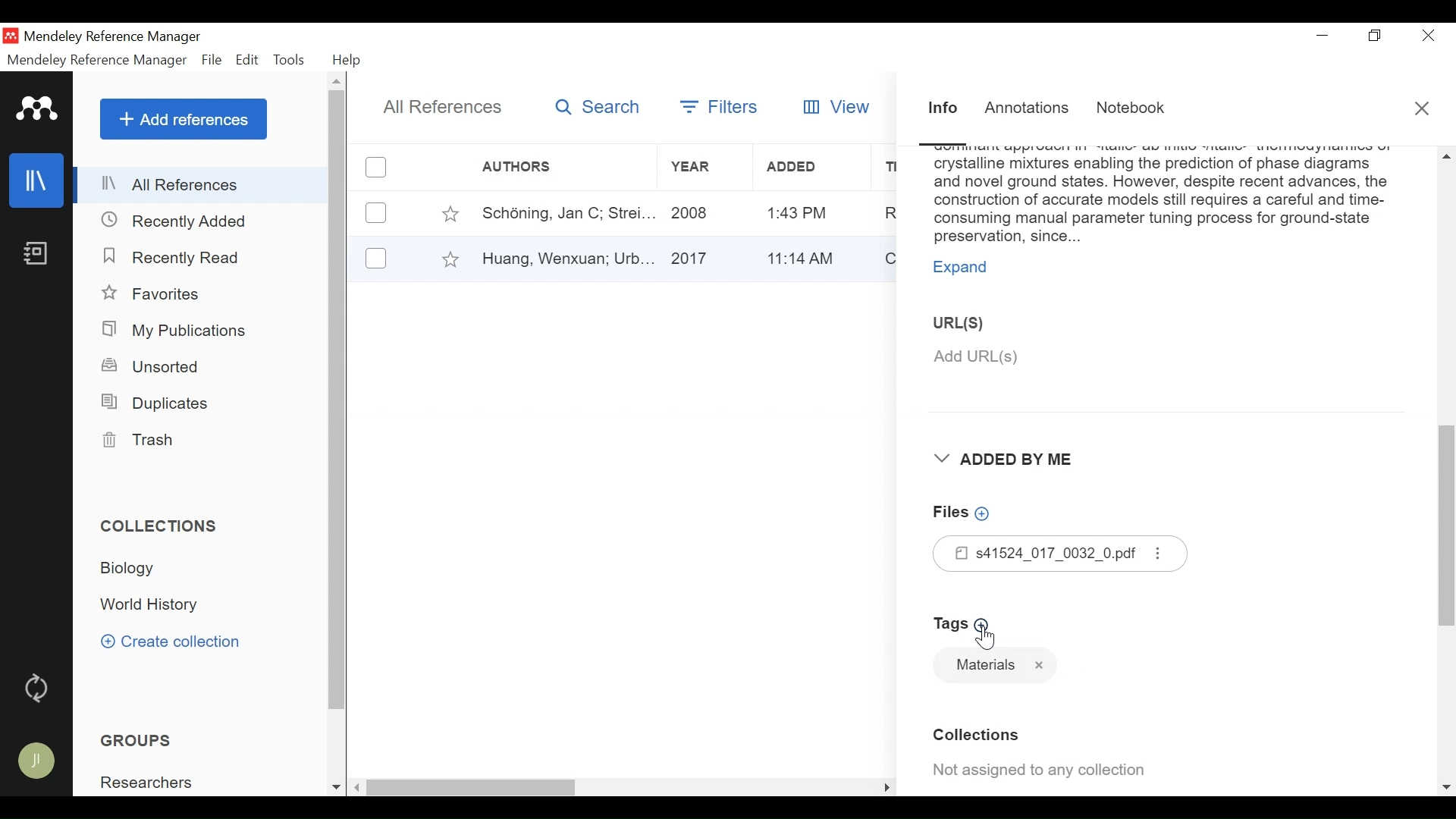  What do you see at coordinates (838, 105) in the screenshot?
I see `View` at bounding box center [838, 105].